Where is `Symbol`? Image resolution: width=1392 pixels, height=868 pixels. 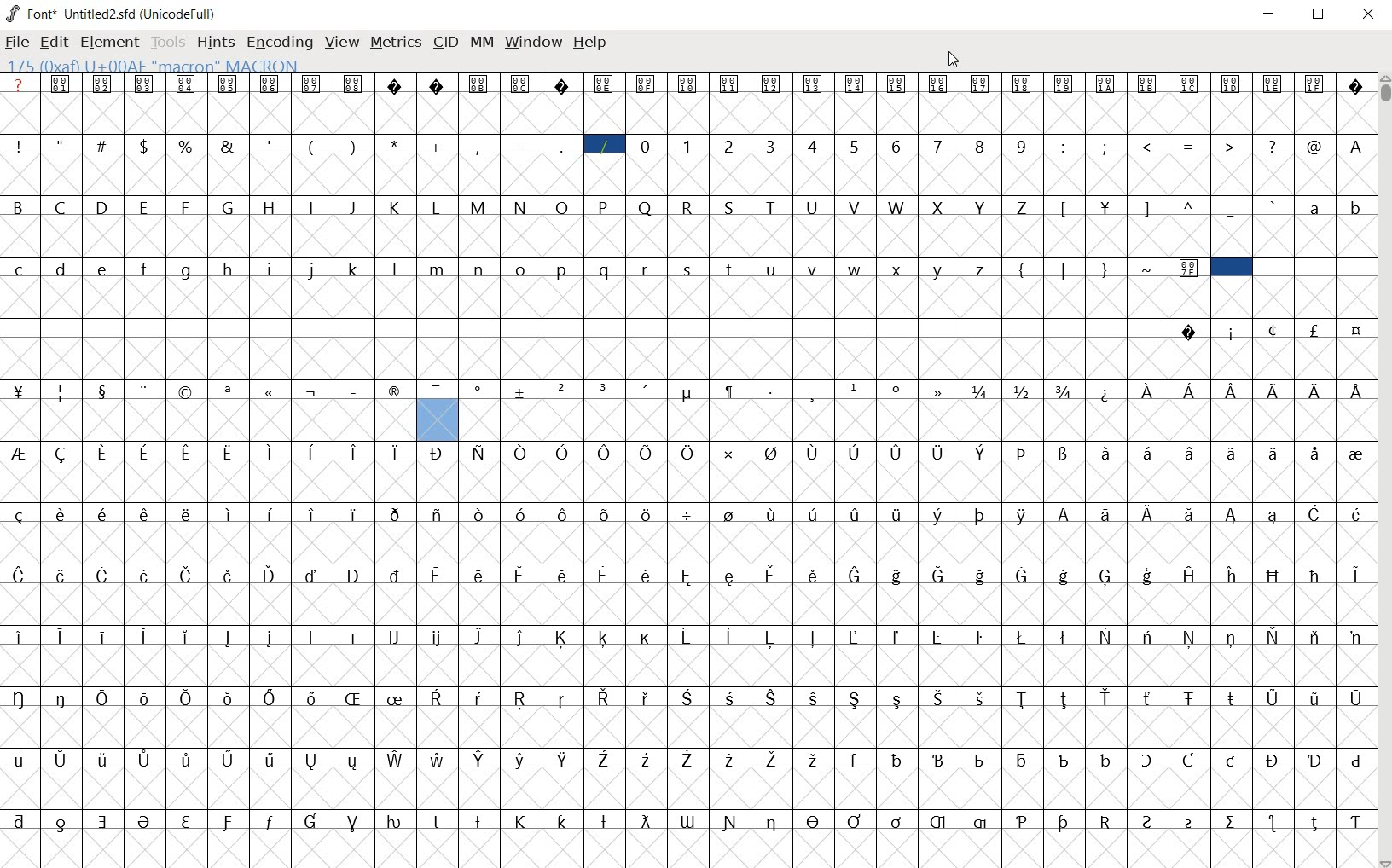
Symbol is located at coordinates (1354, 820).